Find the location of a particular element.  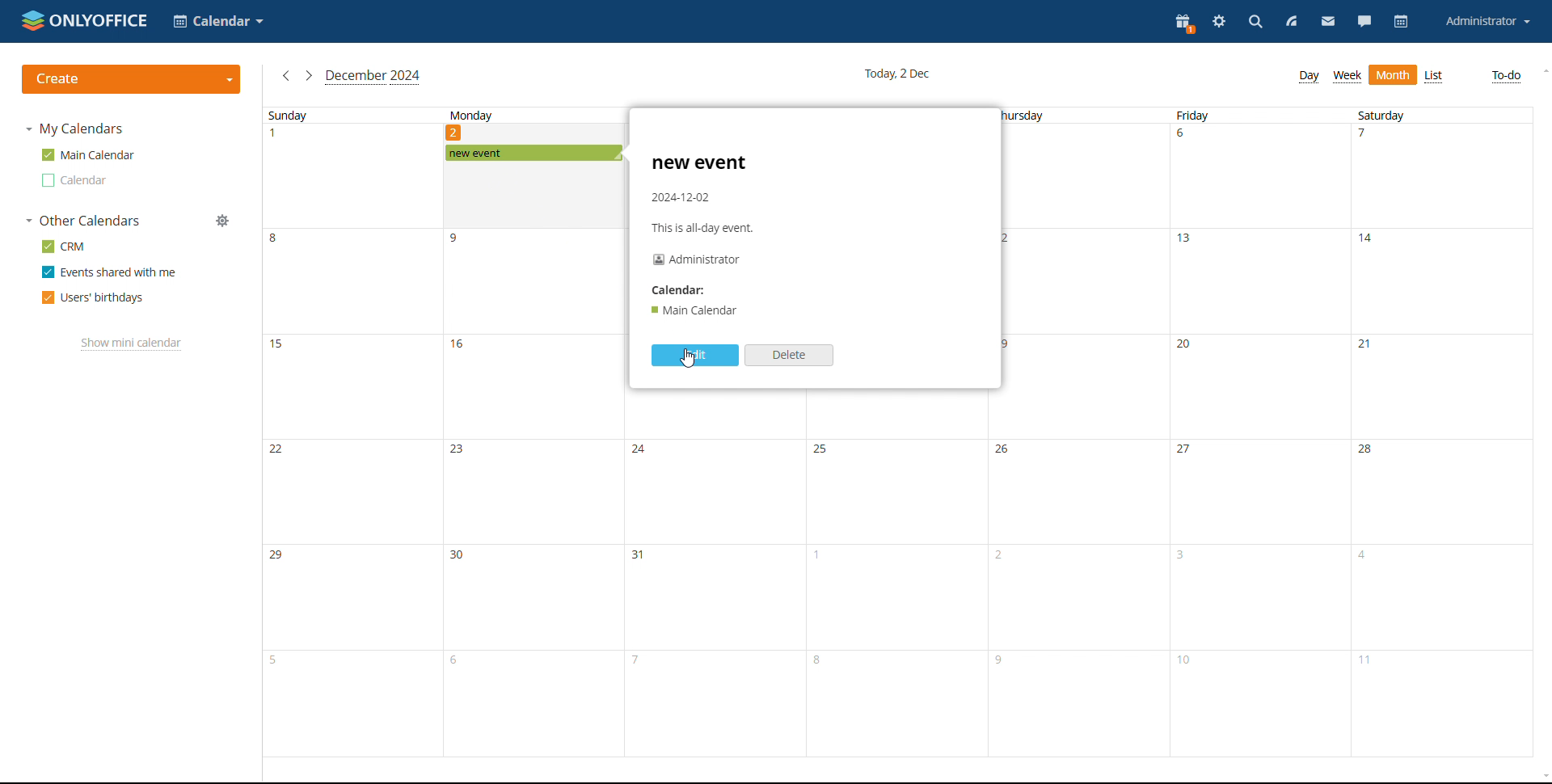

mail is located at coordinates (1328, 22).